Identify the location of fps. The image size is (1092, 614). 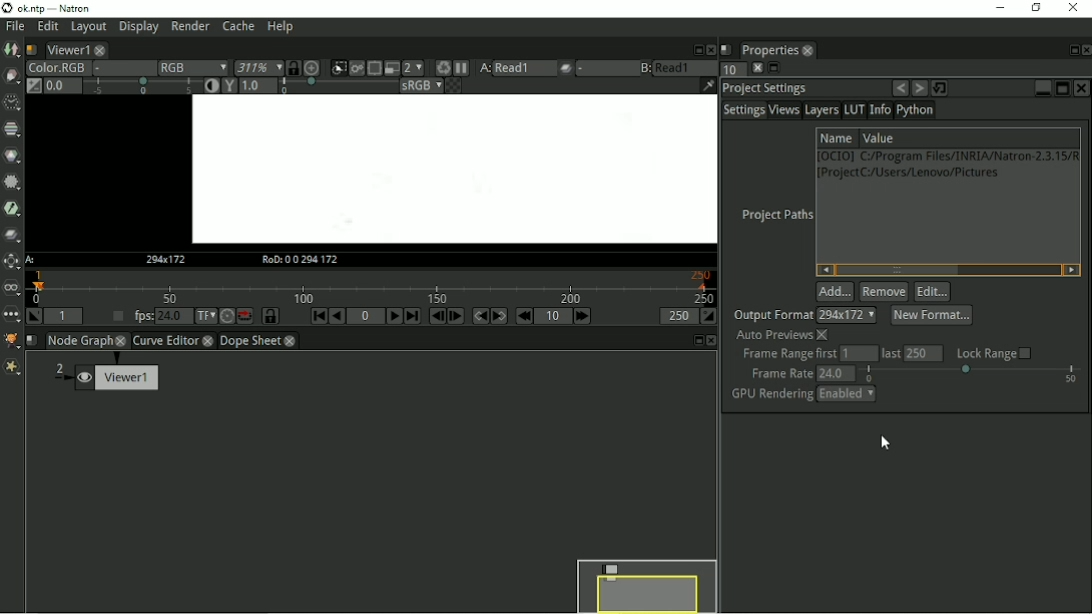
(142, 315).